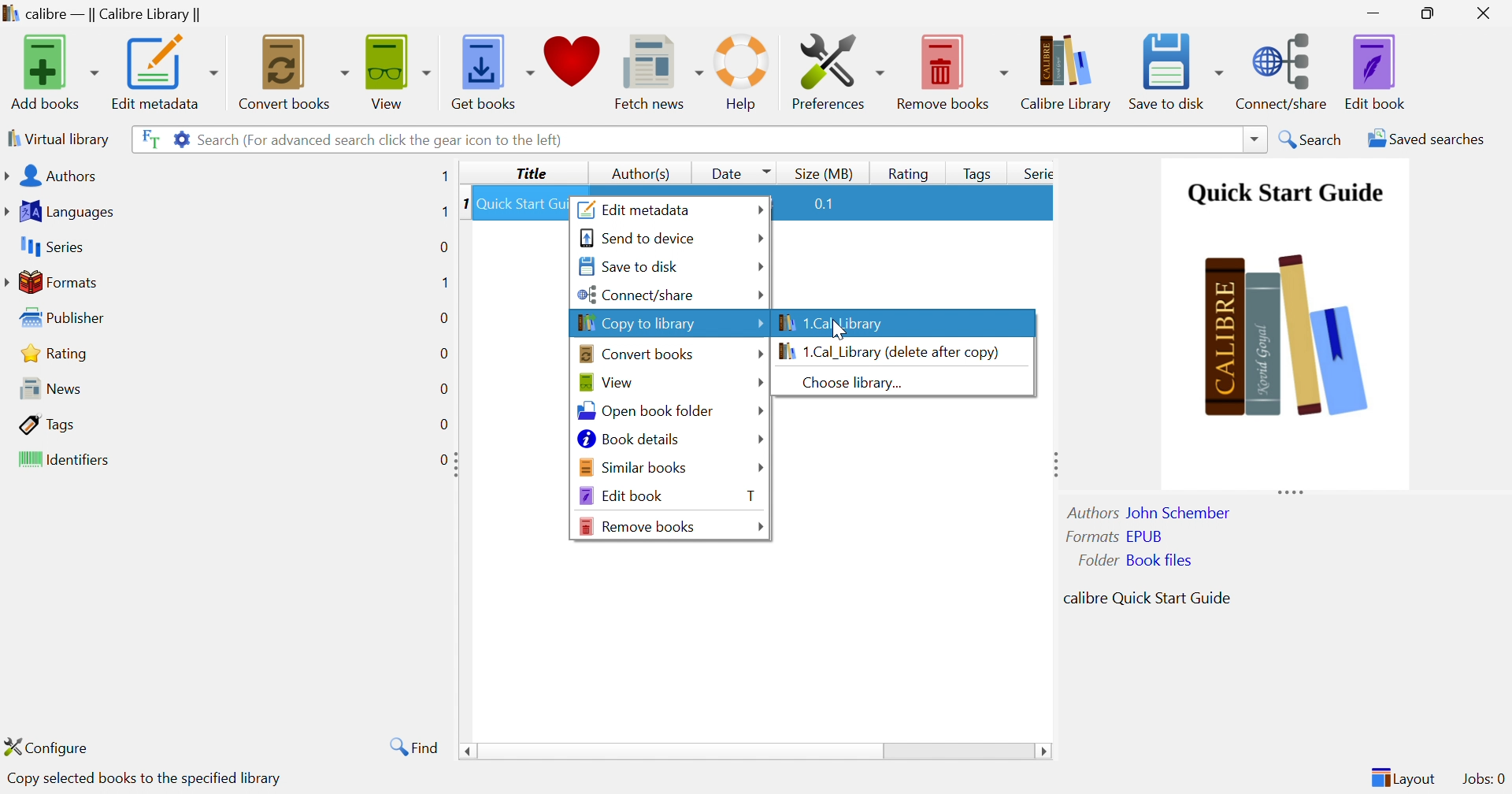  I want to click on 1, so click(444, 176).